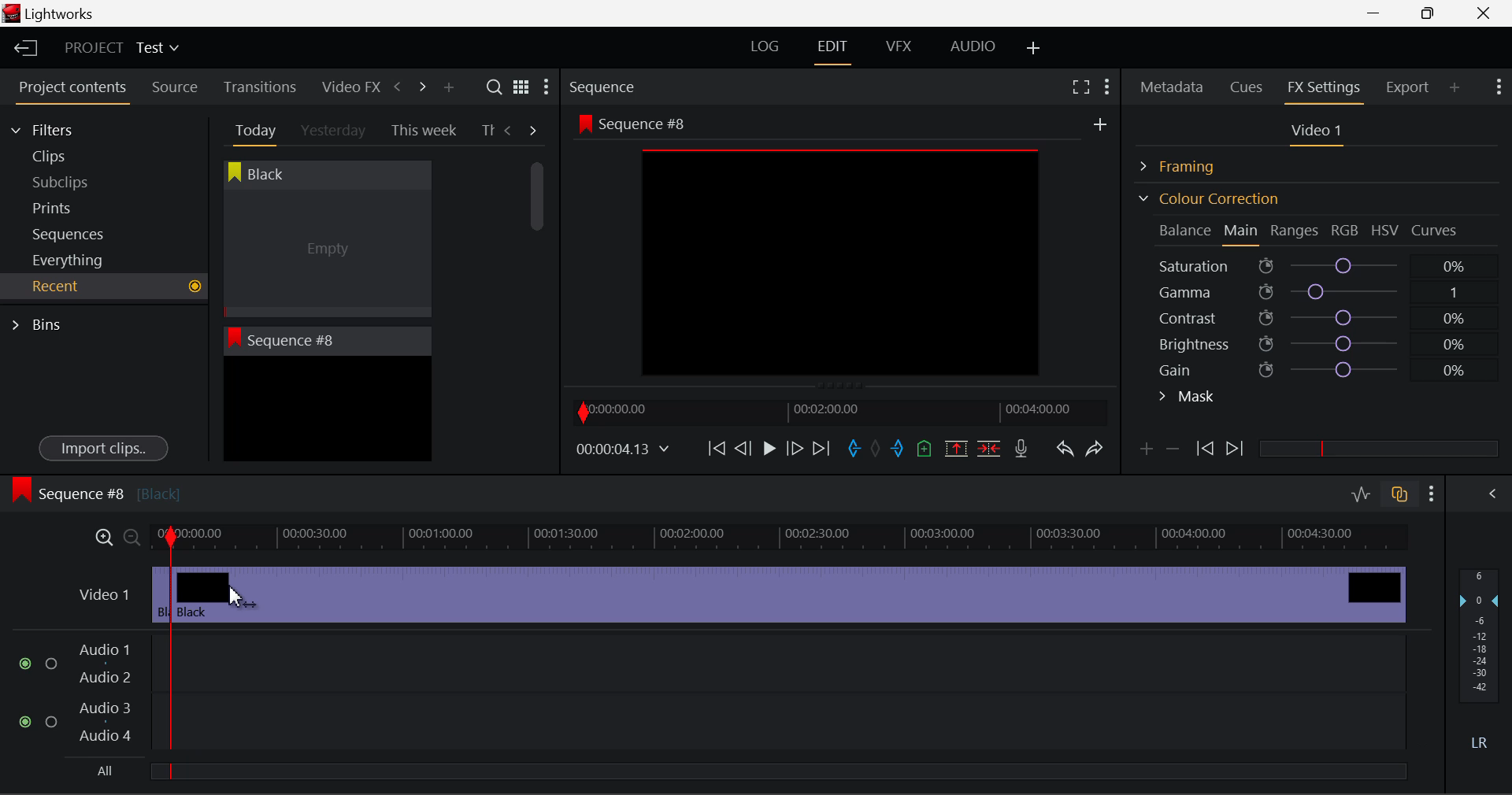 The height and width of the screenshot is (795, 1512). What do you see at coordinates (76, 182) in the screenshot?
I see `Subclips` at bounding box center [76, 182].